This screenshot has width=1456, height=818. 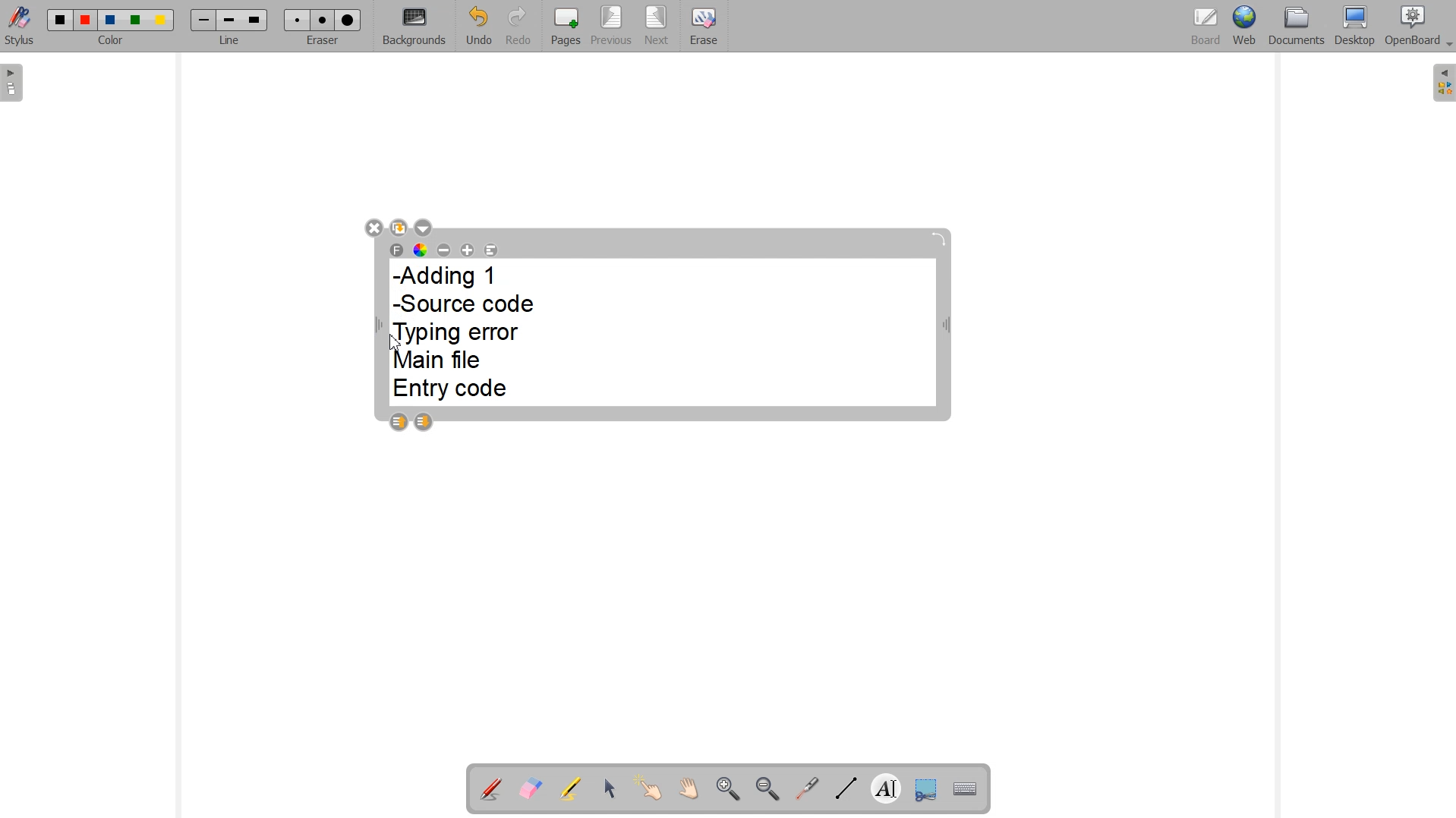 I want to click on Large line, so click(x=256, y=20).